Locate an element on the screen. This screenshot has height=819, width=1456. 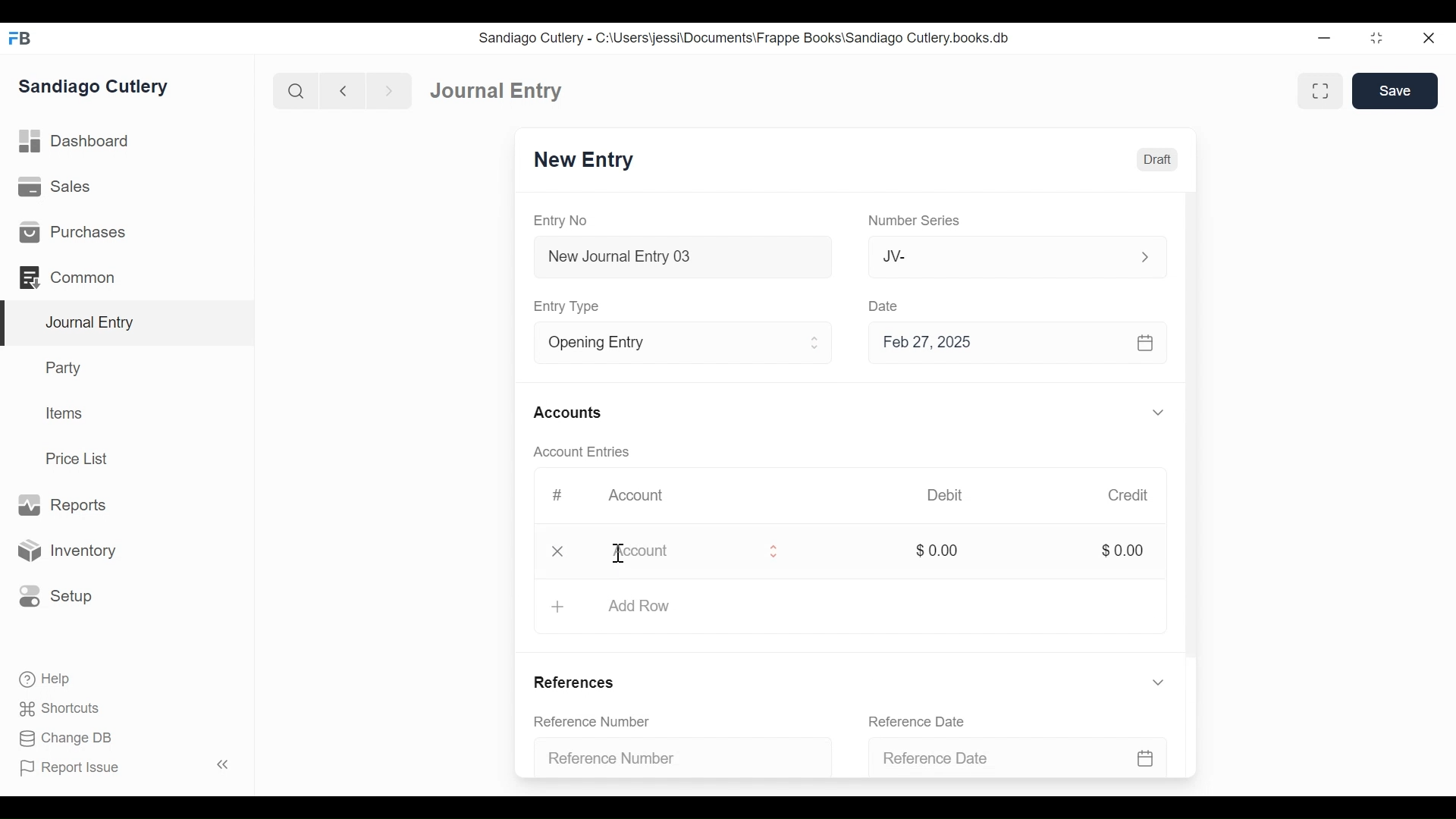
Party is located at coordinates (66, 367).